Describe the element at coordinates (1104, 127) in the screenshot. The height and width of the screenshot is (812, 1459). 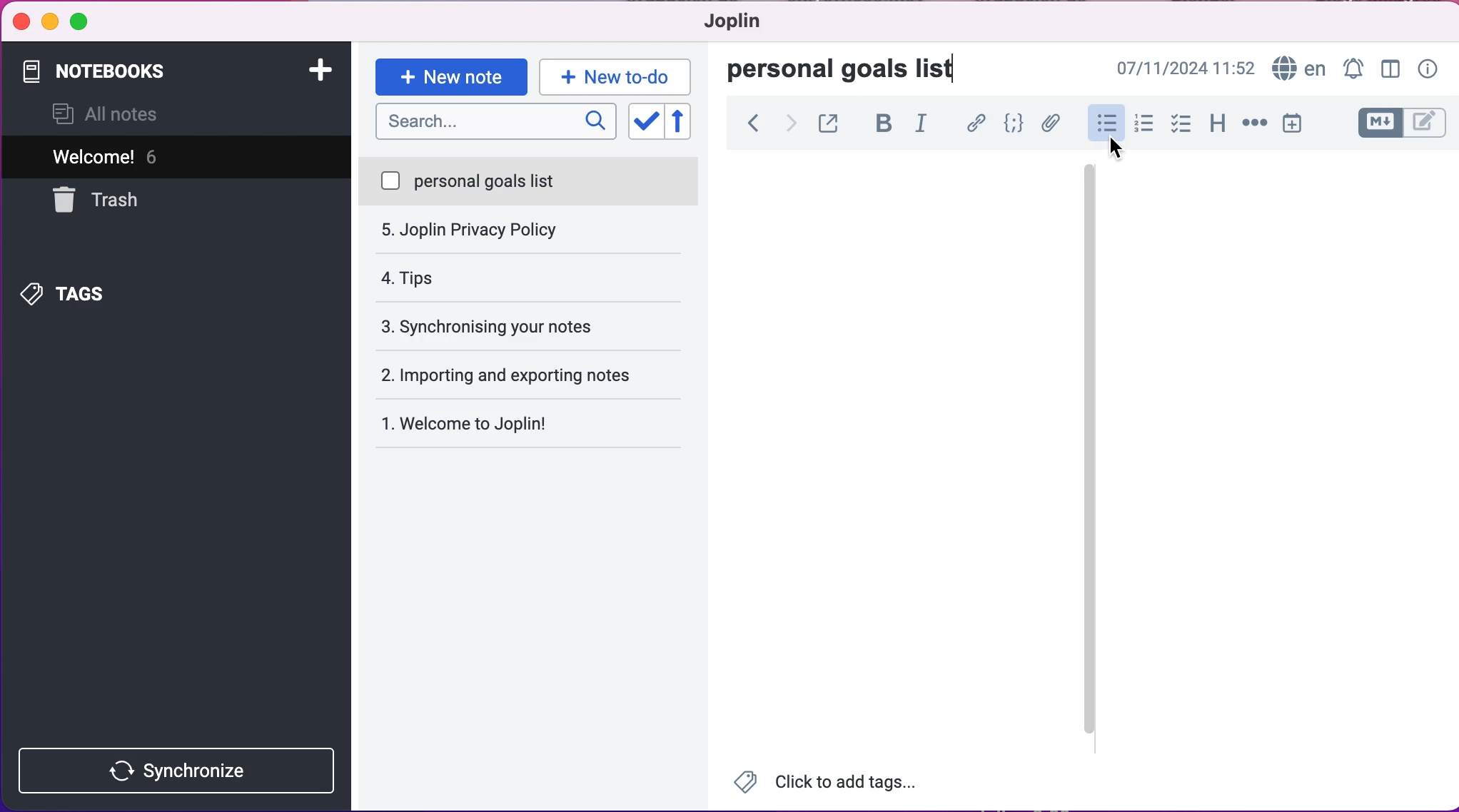
I see `bulleted lists` at that location.